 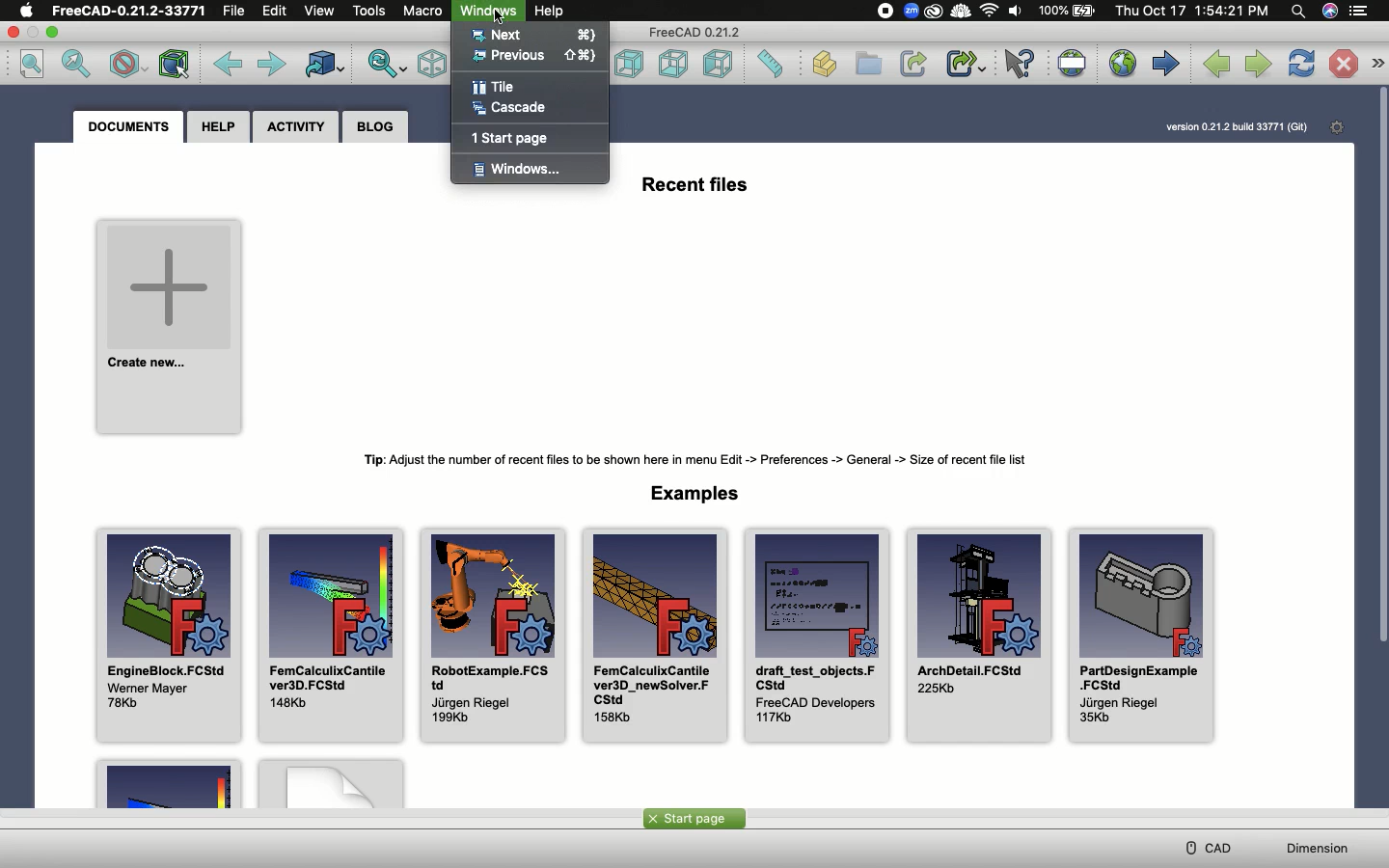 I want to click on cursor, so click(x=502, y=18).